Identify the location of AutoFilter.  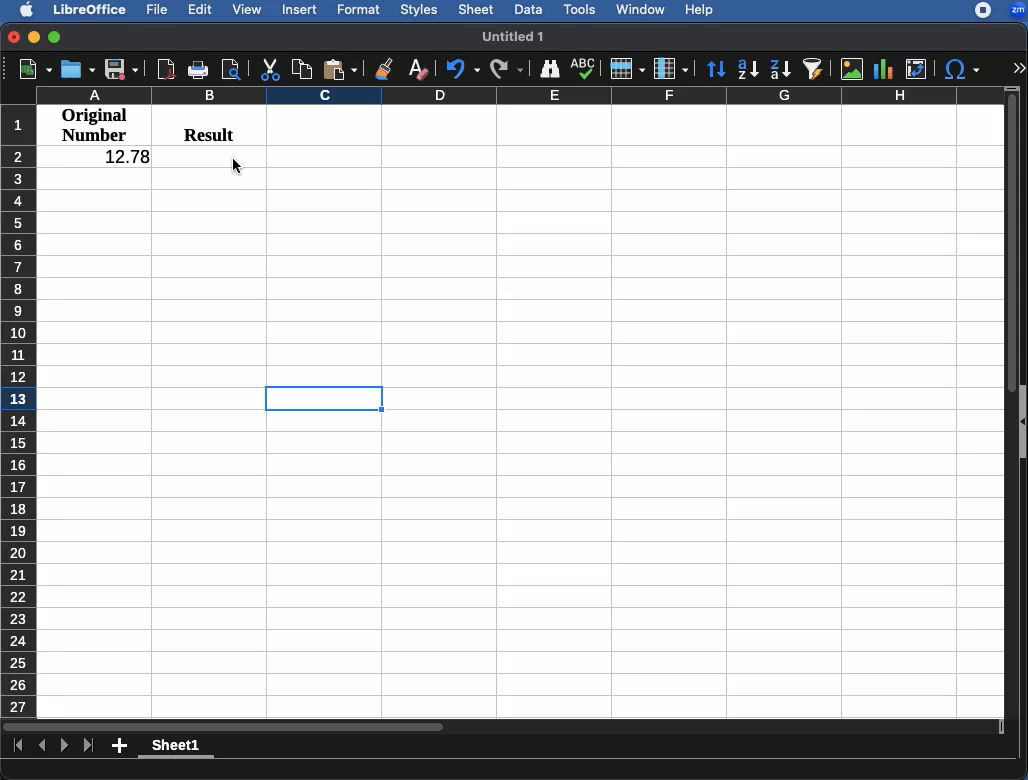
(813, 68).